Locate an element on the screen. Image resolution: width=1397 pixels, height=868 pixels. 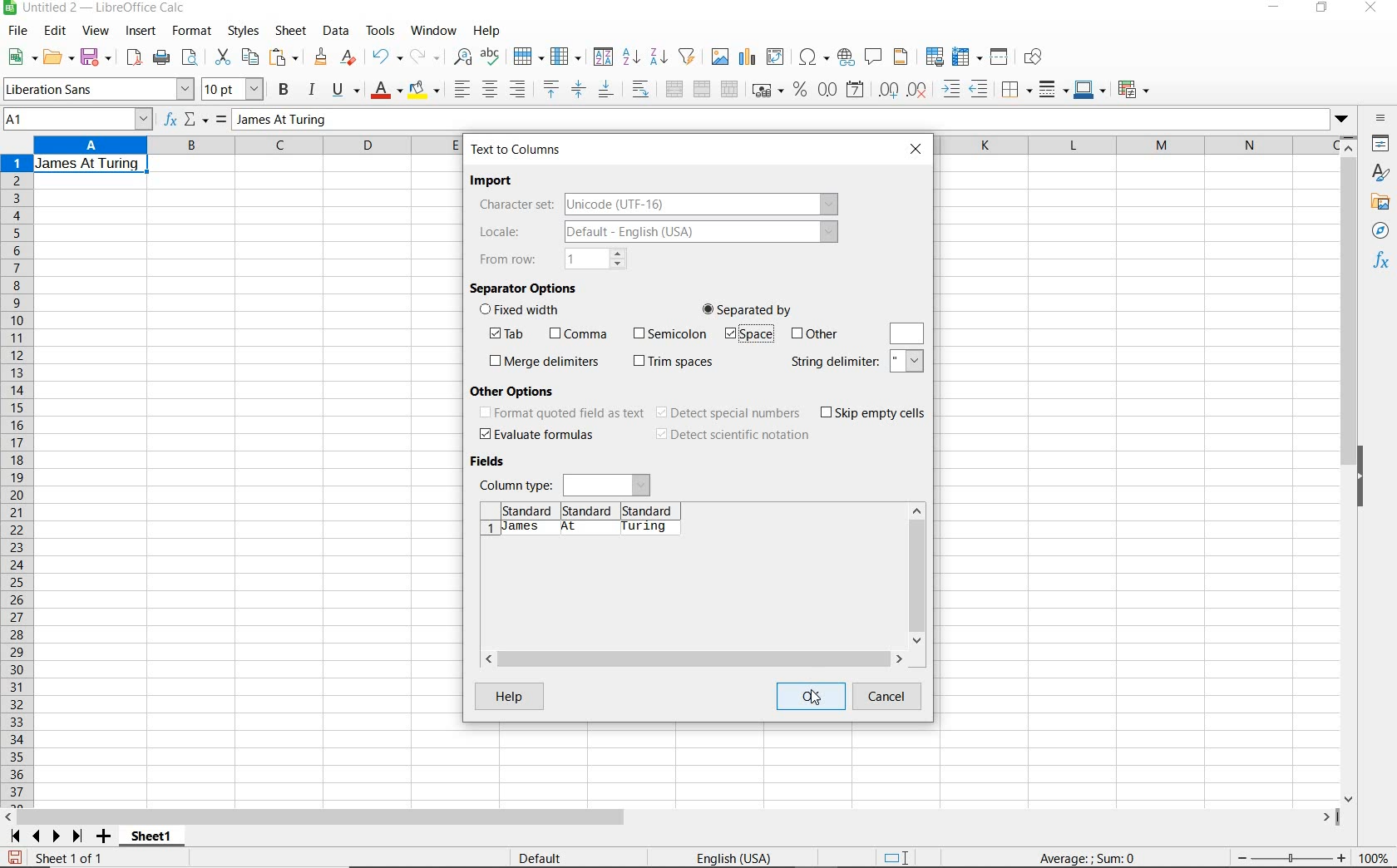
other options is located at coordinates (518, 390).